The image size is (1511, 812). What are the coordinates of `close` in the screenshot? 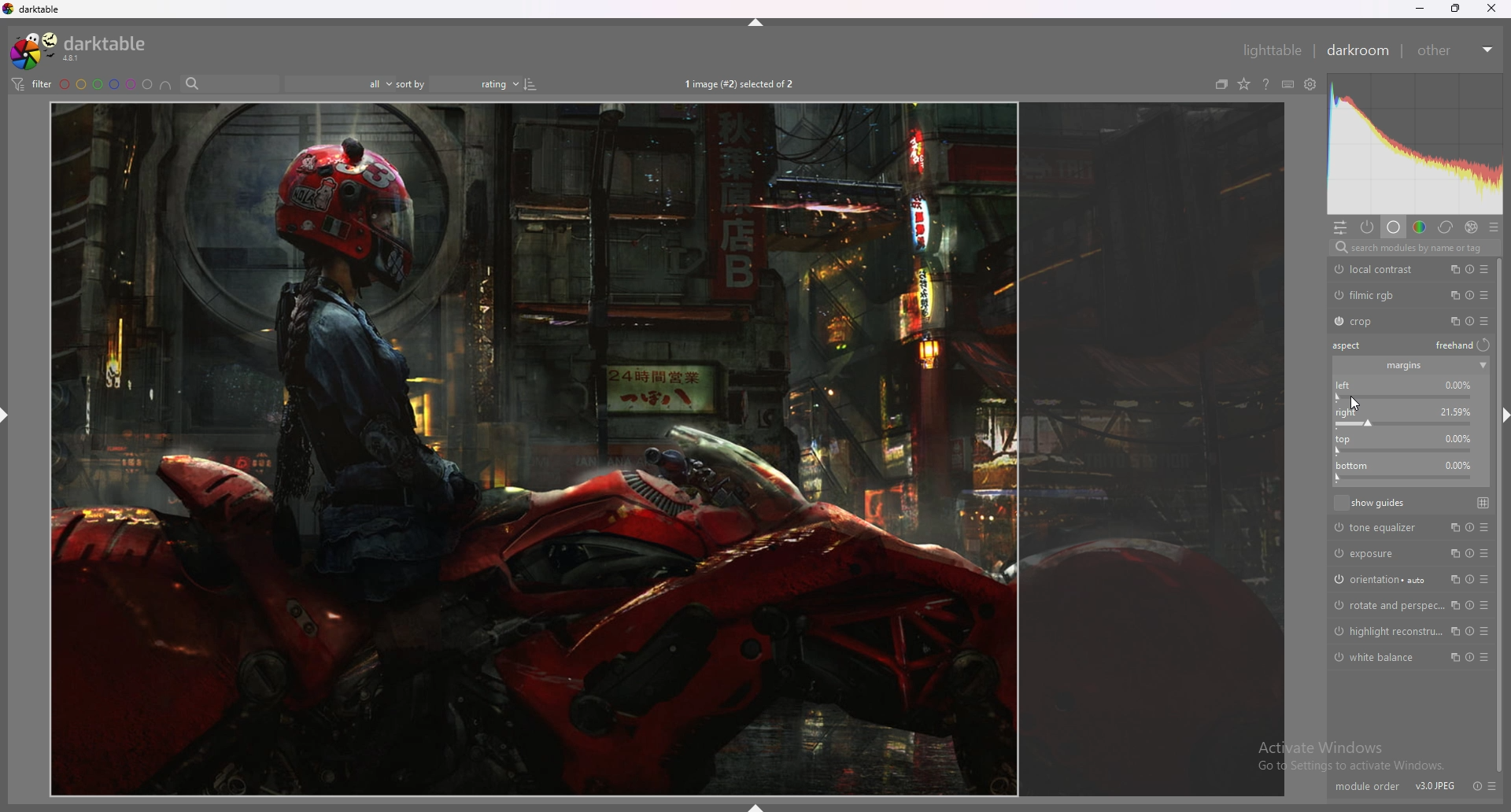 It's located at (1491, 9).